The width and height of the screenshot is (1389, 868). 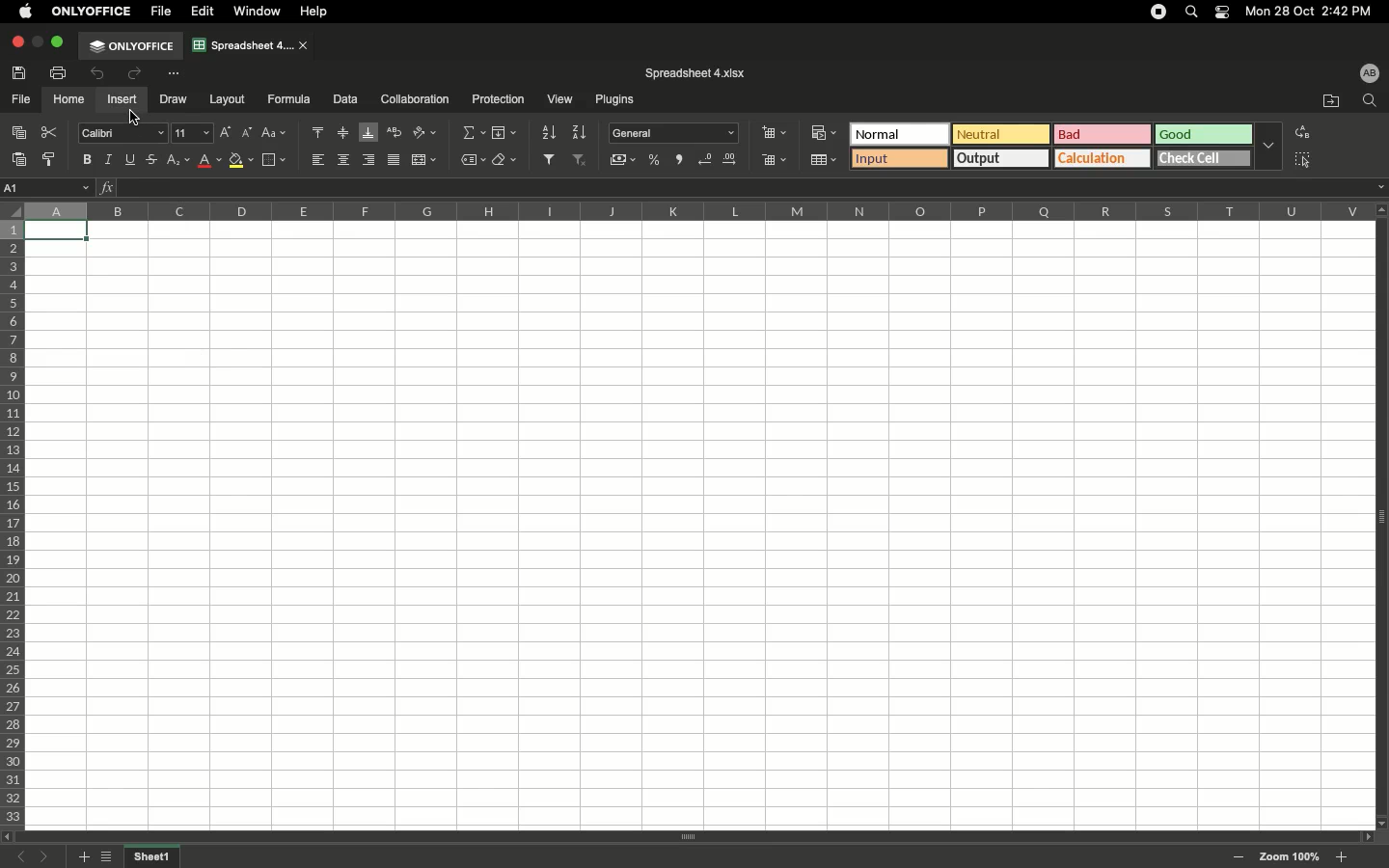 What do you see at coordinates (93, 12) in the screenshot?
I see `OnlyOffice` at bounding box center [93, 12].